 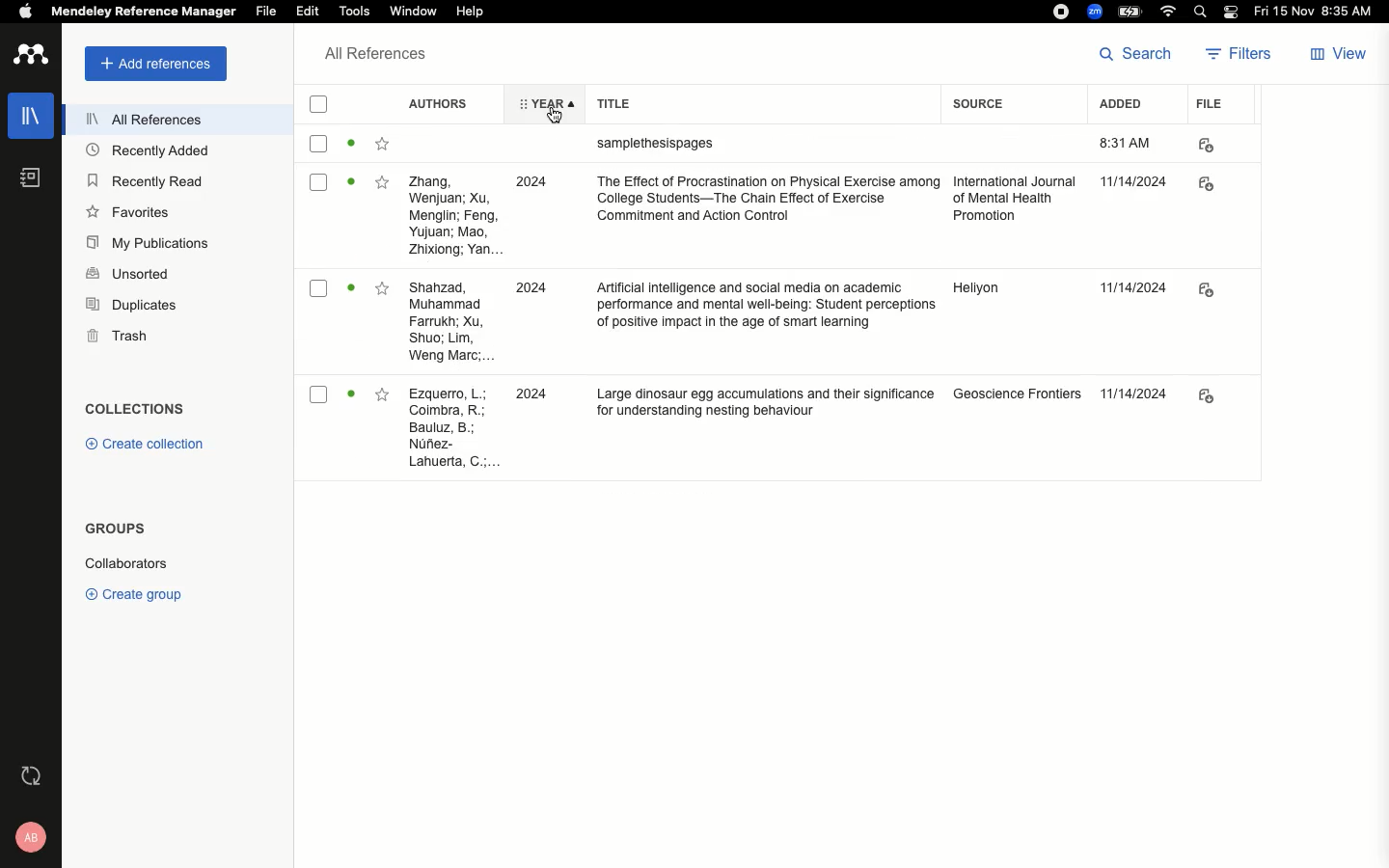 What do you see at coordinates (143, 12) in the screenshot?
I see `Mendeley reference manager` at bounding box center [143, 12].